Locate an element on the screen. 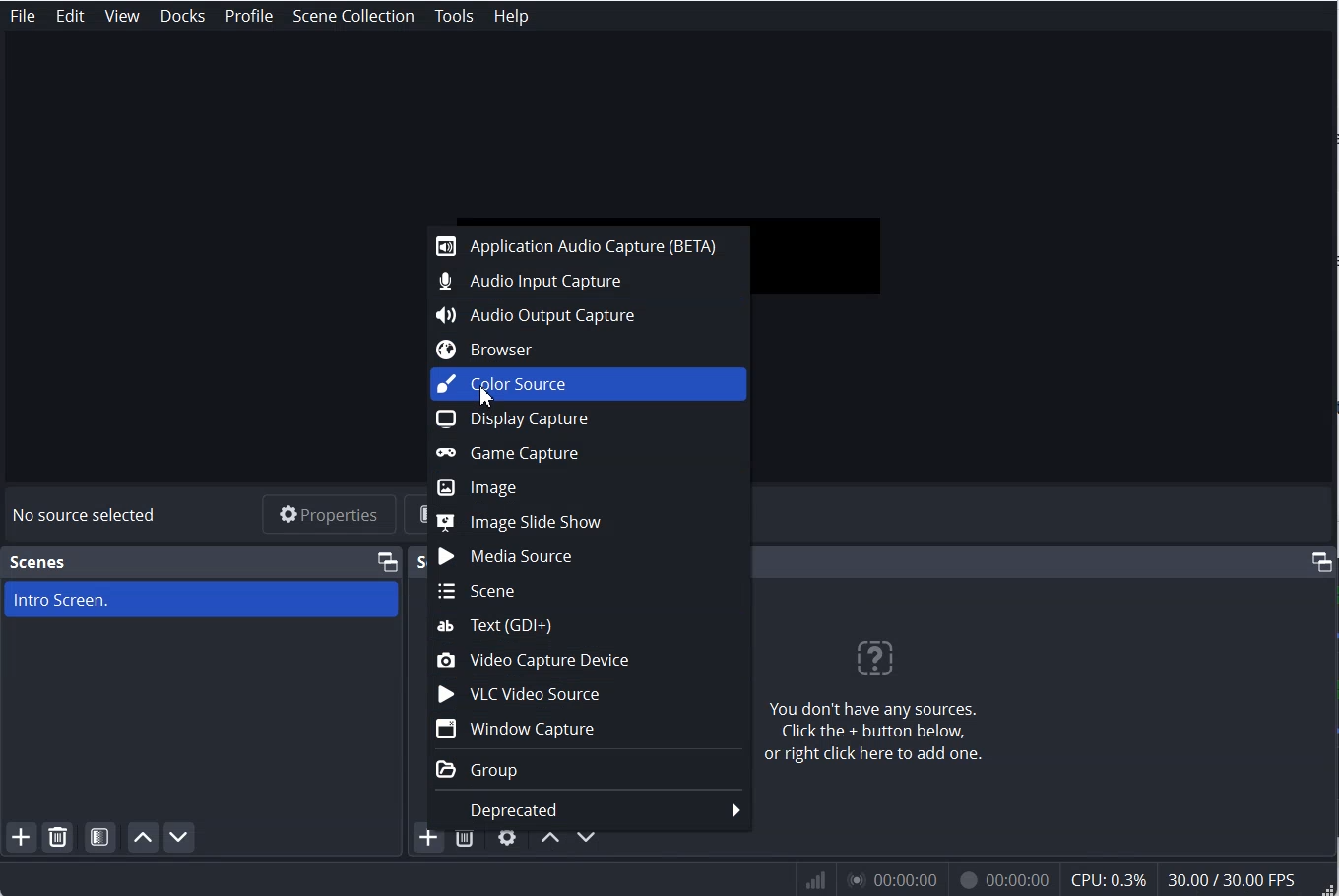 The height and width of the screenshot is (896, 1339). Audio Output Capture is located at coordinates (590, 315).